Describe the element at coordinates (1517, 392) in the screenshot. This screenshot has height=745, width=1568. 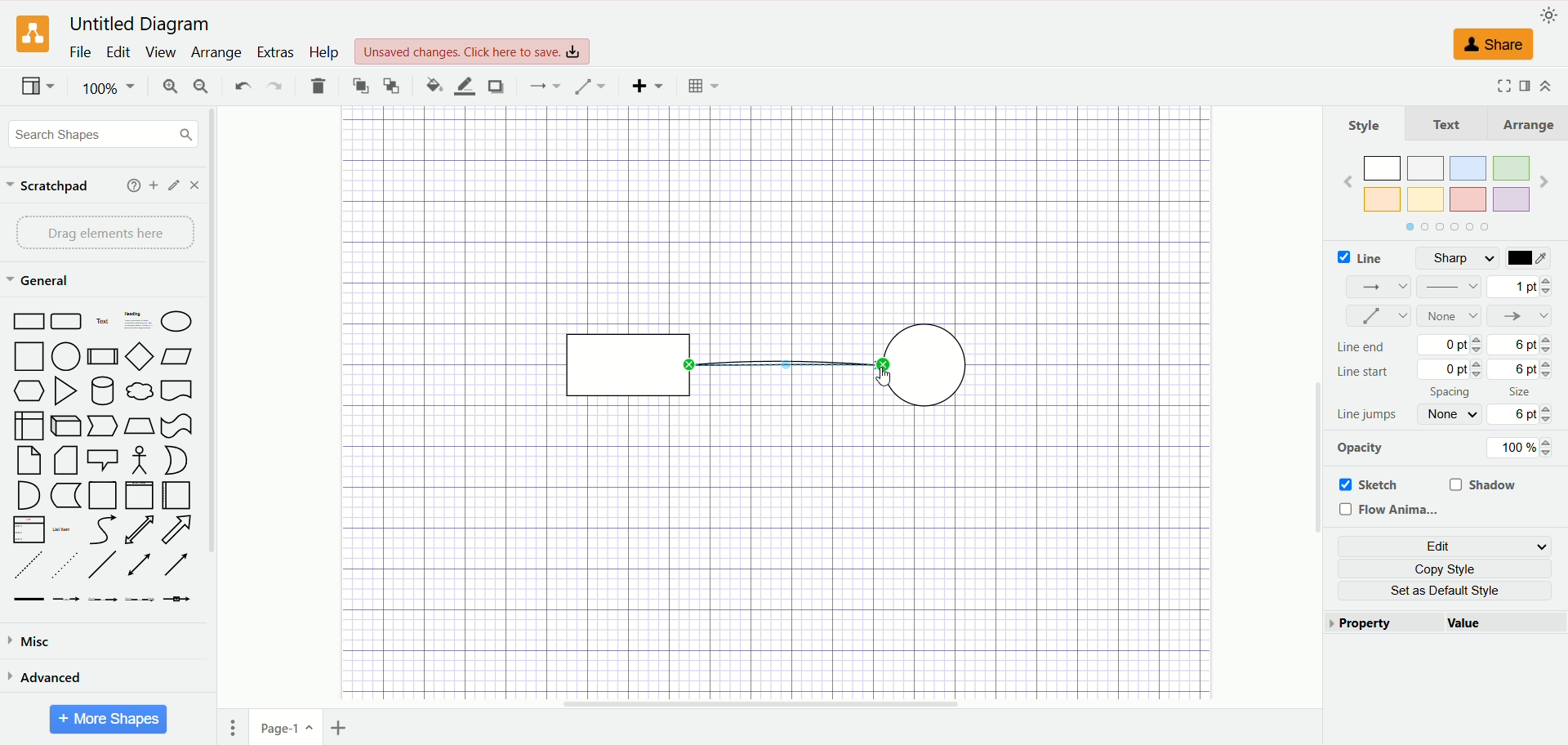
I see `size` at that location.